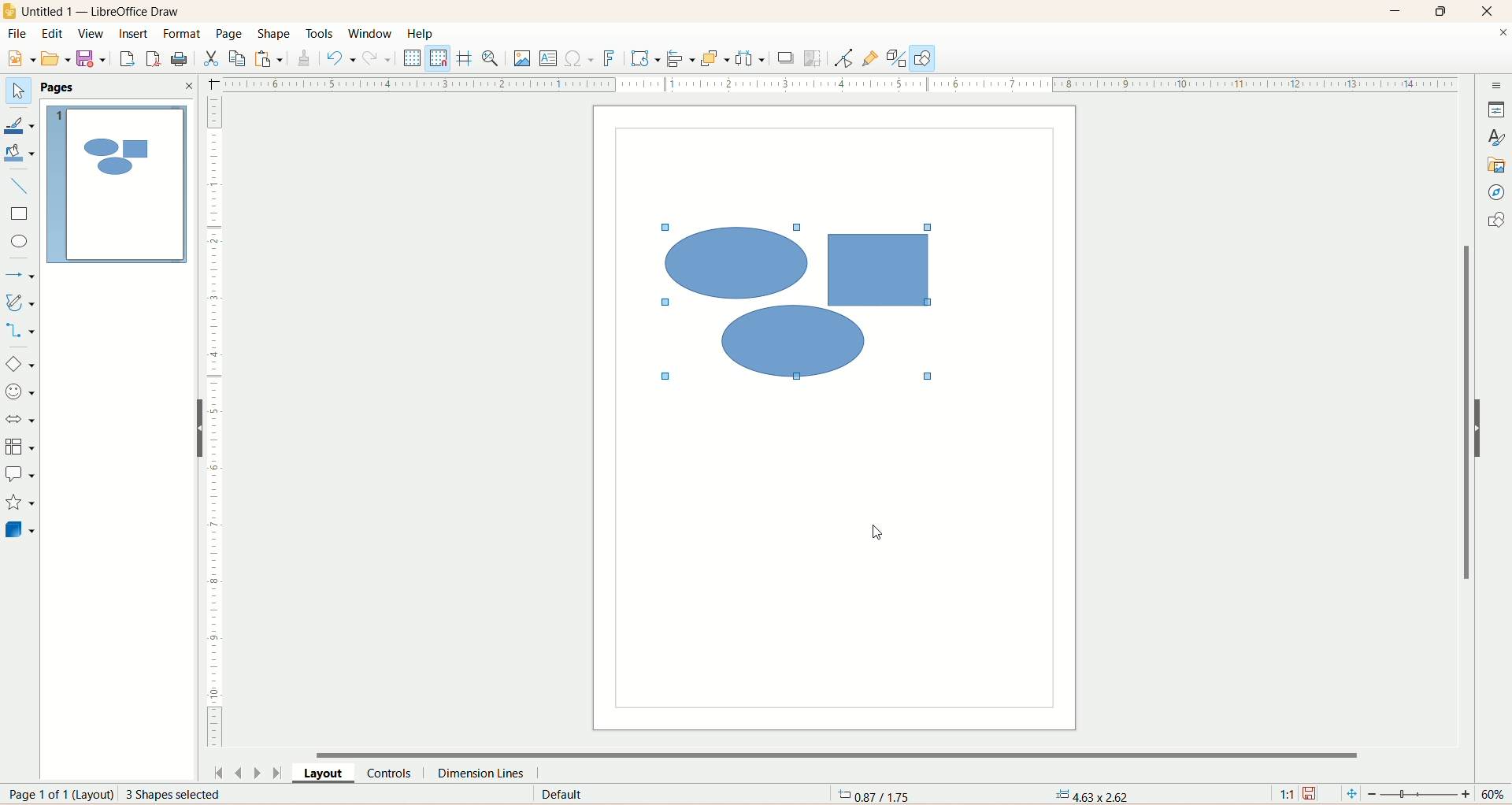 The width and height of the screenshot is (1512, 805). I want to click on undo, so click(339, 58).